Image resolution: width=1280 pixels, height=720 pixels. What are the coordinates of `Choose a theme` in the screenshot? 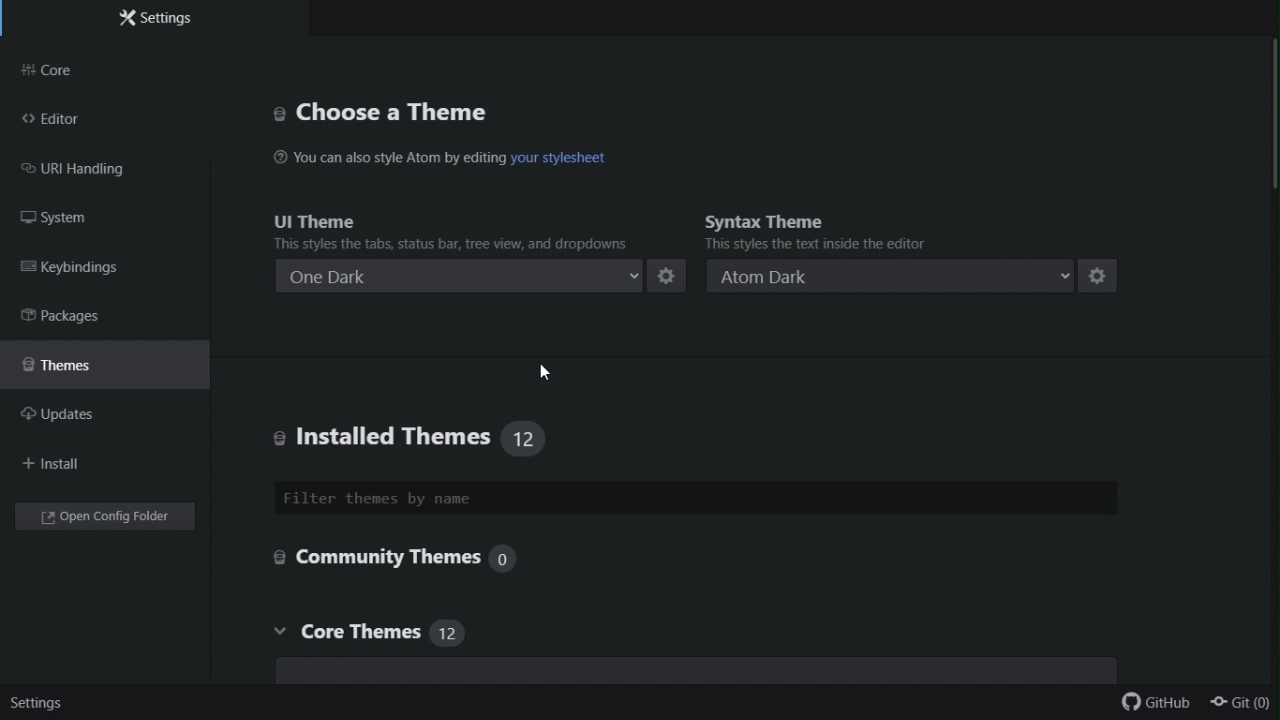 It's located at (382, 114).